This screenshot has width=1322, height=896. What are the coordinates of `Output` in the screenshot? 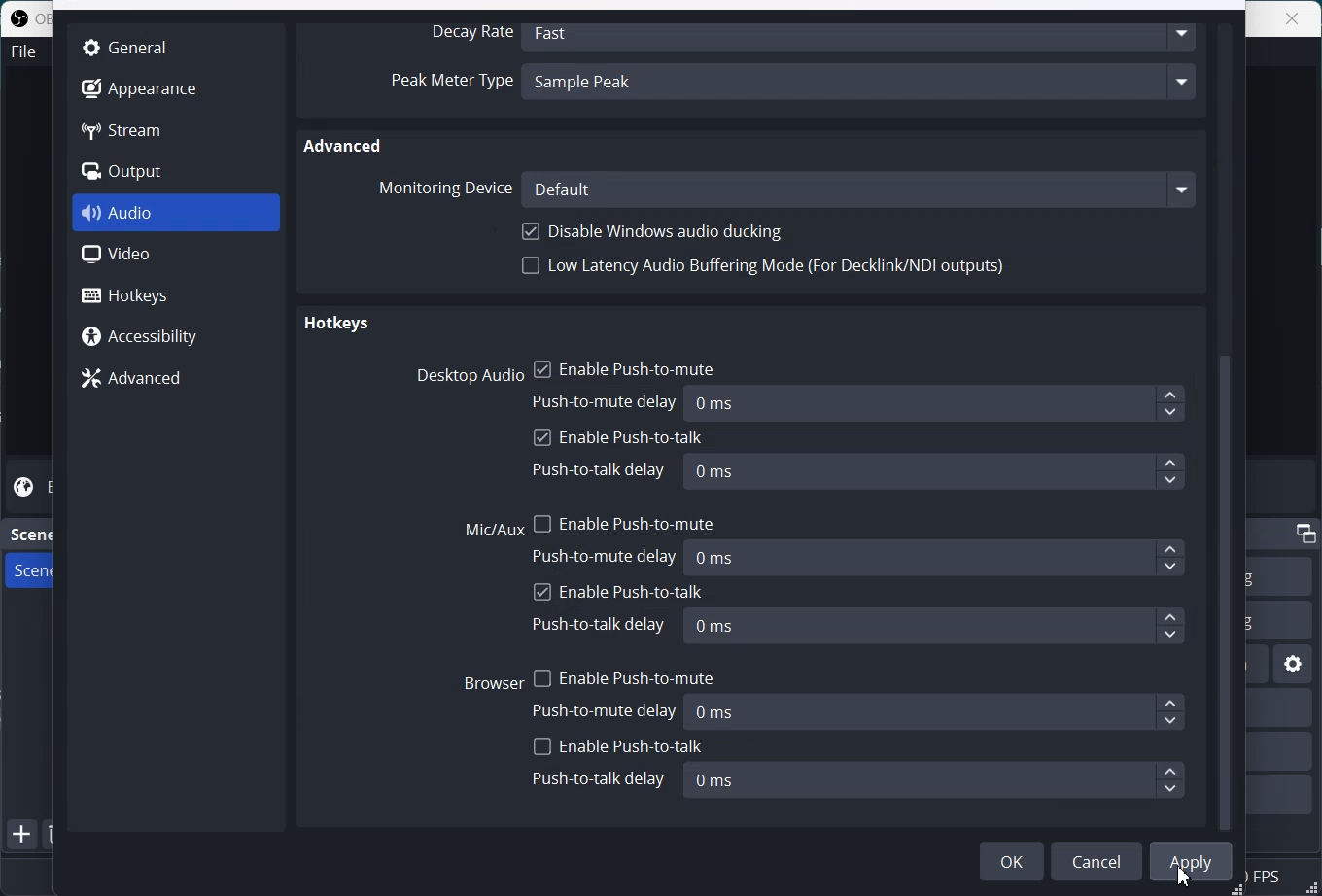 It's located at (138, 172).